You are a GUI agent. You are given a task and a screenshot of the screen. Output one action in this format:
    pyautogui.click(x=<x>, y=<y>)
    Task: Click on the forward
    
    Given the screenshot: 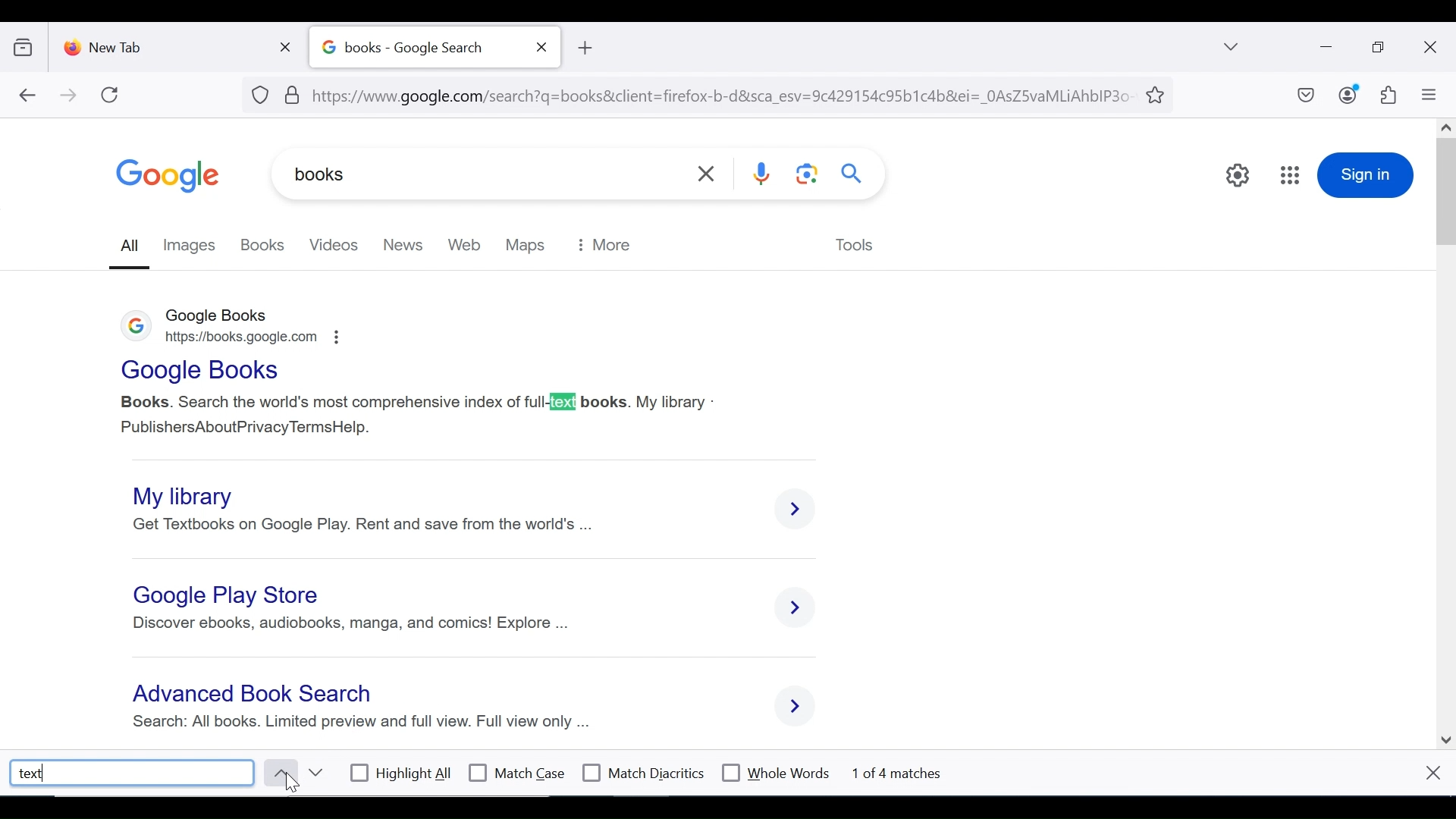 What is the action you would take?
    pyautogui.click(x=69, y=96)
    